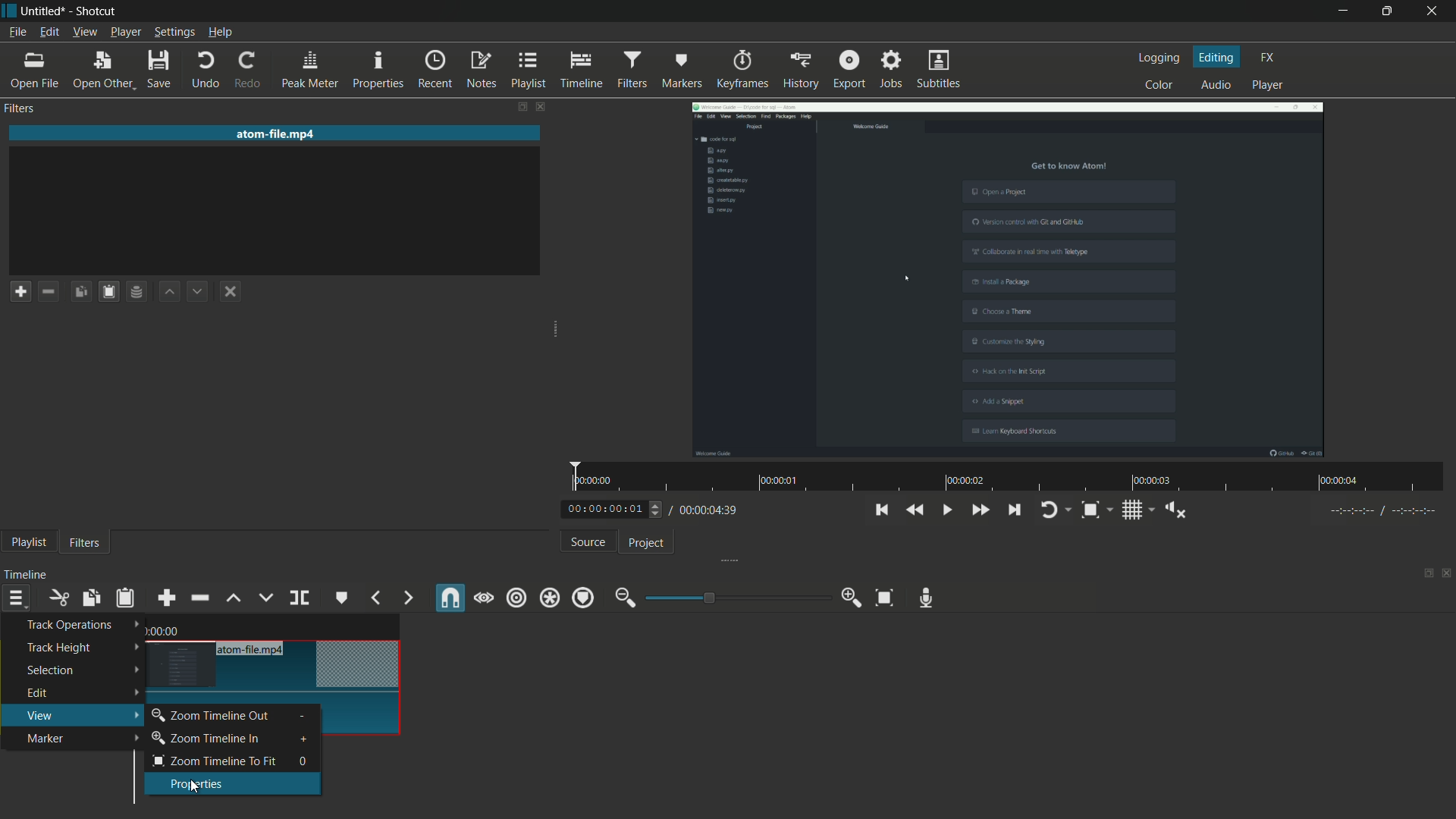  I want to click on quickly play backward, so click(916, 510).